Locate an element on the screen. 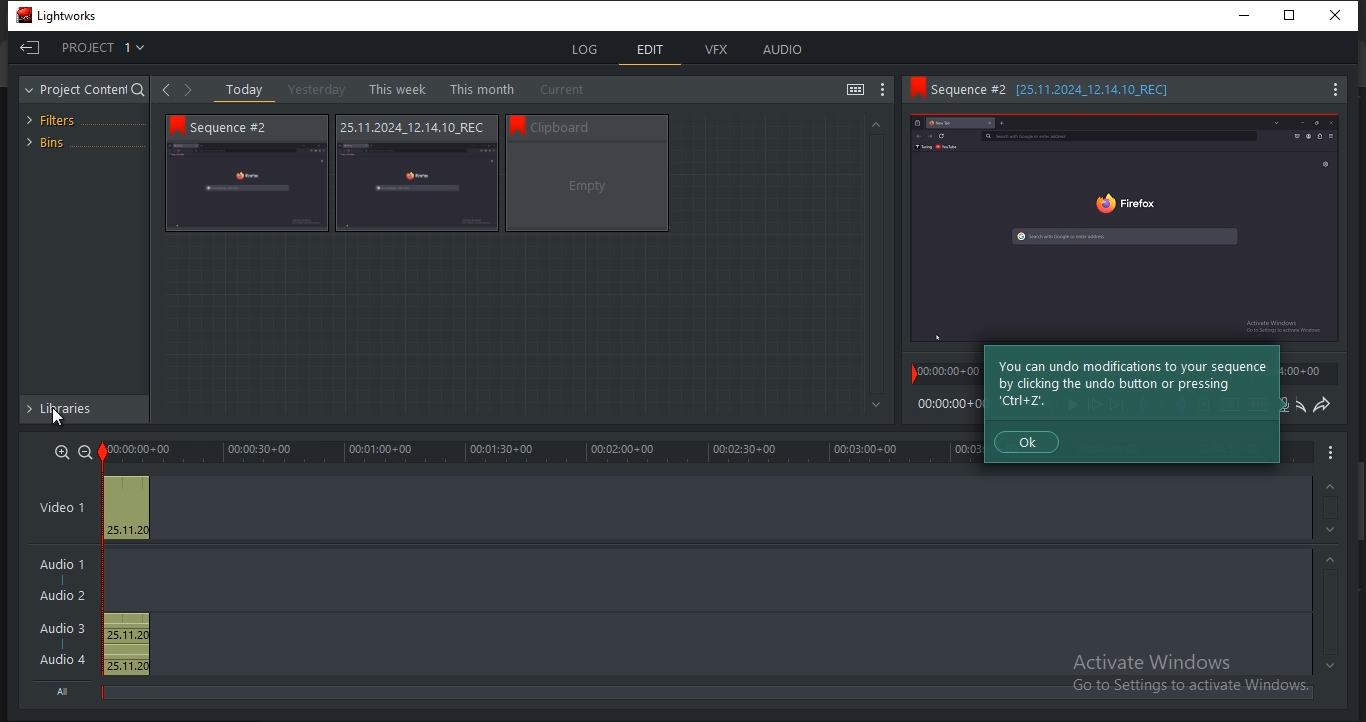 This screenshot has width=1366, height=722. timeline navigation up arrow is located at coordinates (1330, 559).